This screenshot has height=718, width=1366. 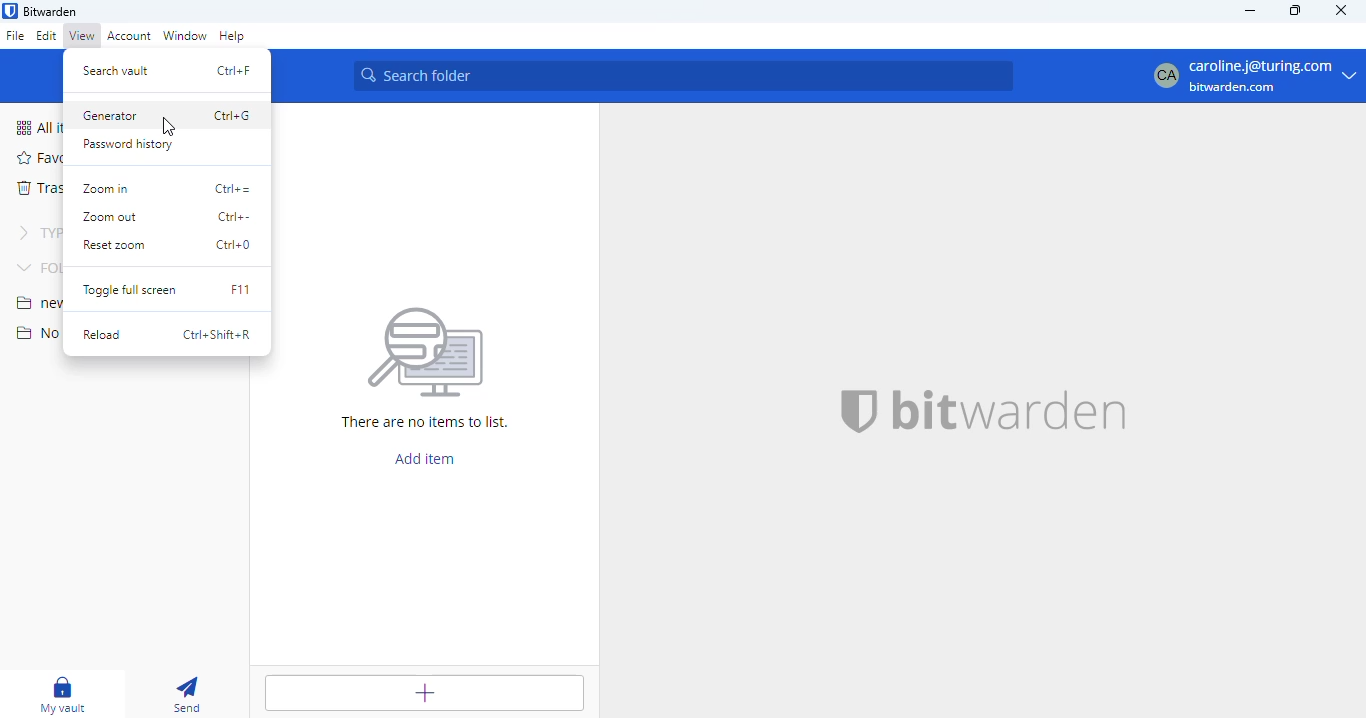 What do you see at coordinates (1295, 10) in the screenshot?
I see `maximize` at bounding box center [1295, 10].